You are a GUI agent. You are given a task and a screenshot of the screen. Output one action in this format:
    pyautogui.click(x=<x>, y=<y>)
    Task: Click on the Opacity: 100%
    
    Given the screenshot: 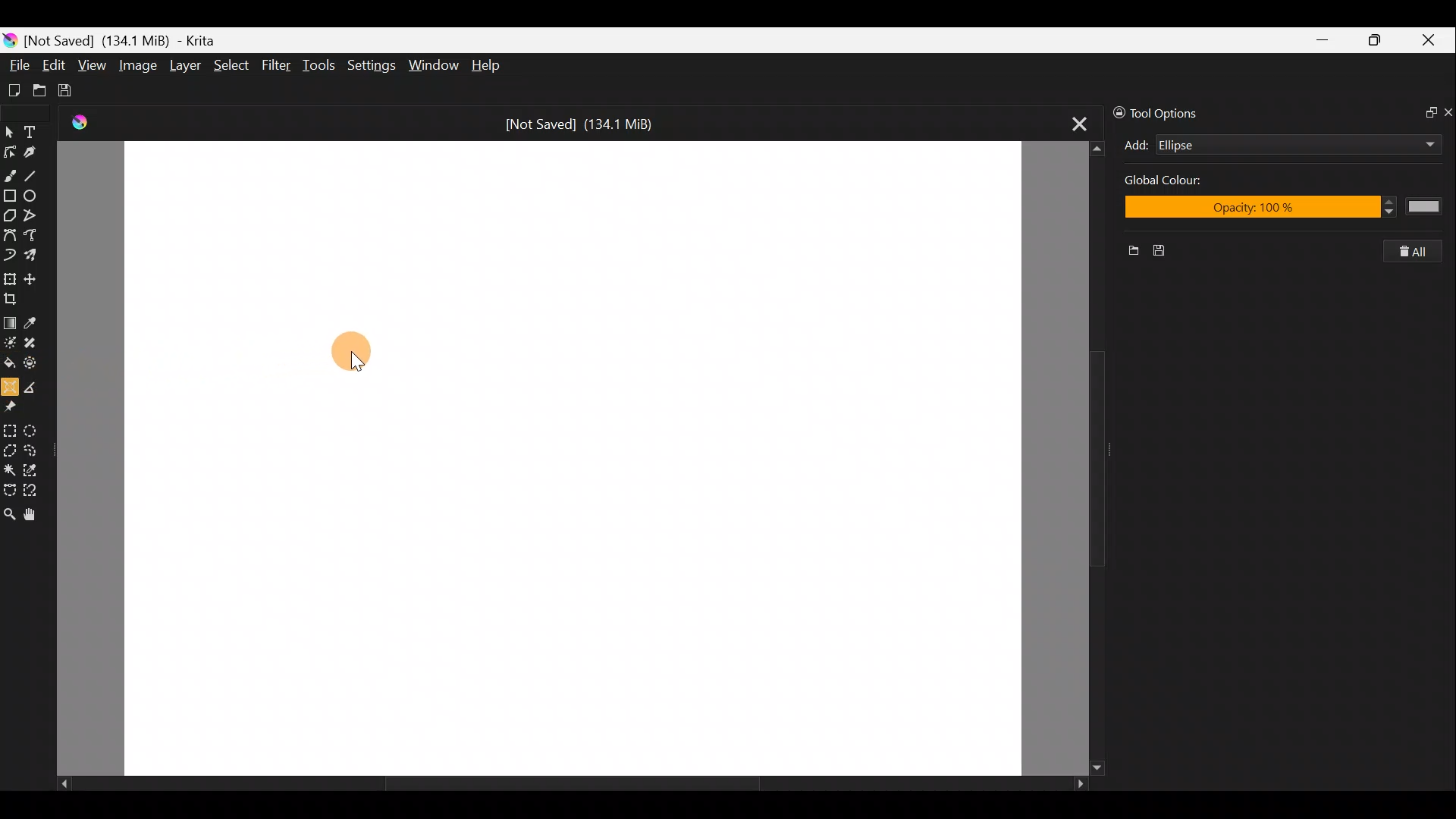 What is the action you would take?
    pyautogui.click(x=1285, y=209)
    